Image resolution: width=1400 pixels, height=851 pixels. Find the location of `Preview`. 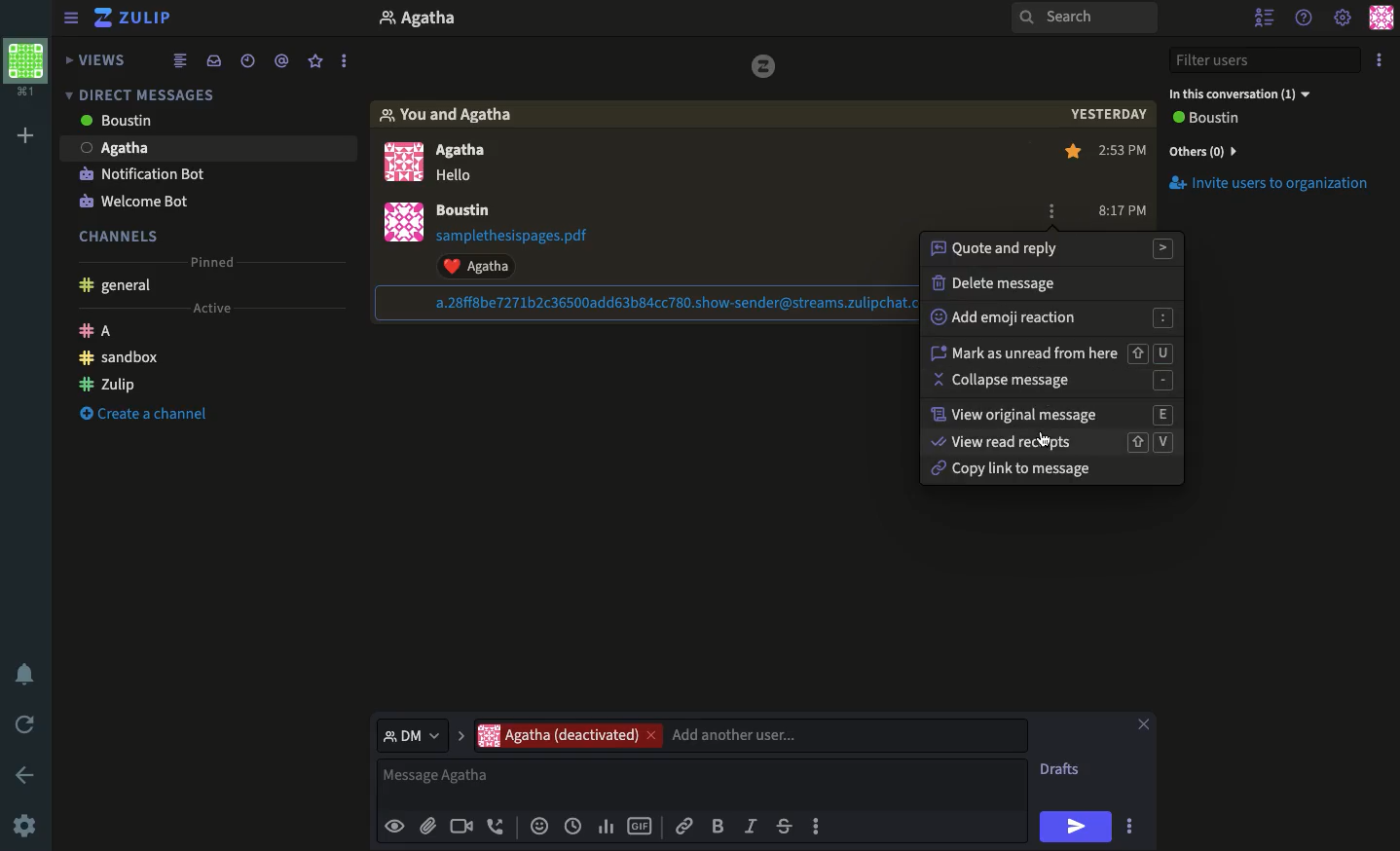

Preview is located at coordinates (394, 825).